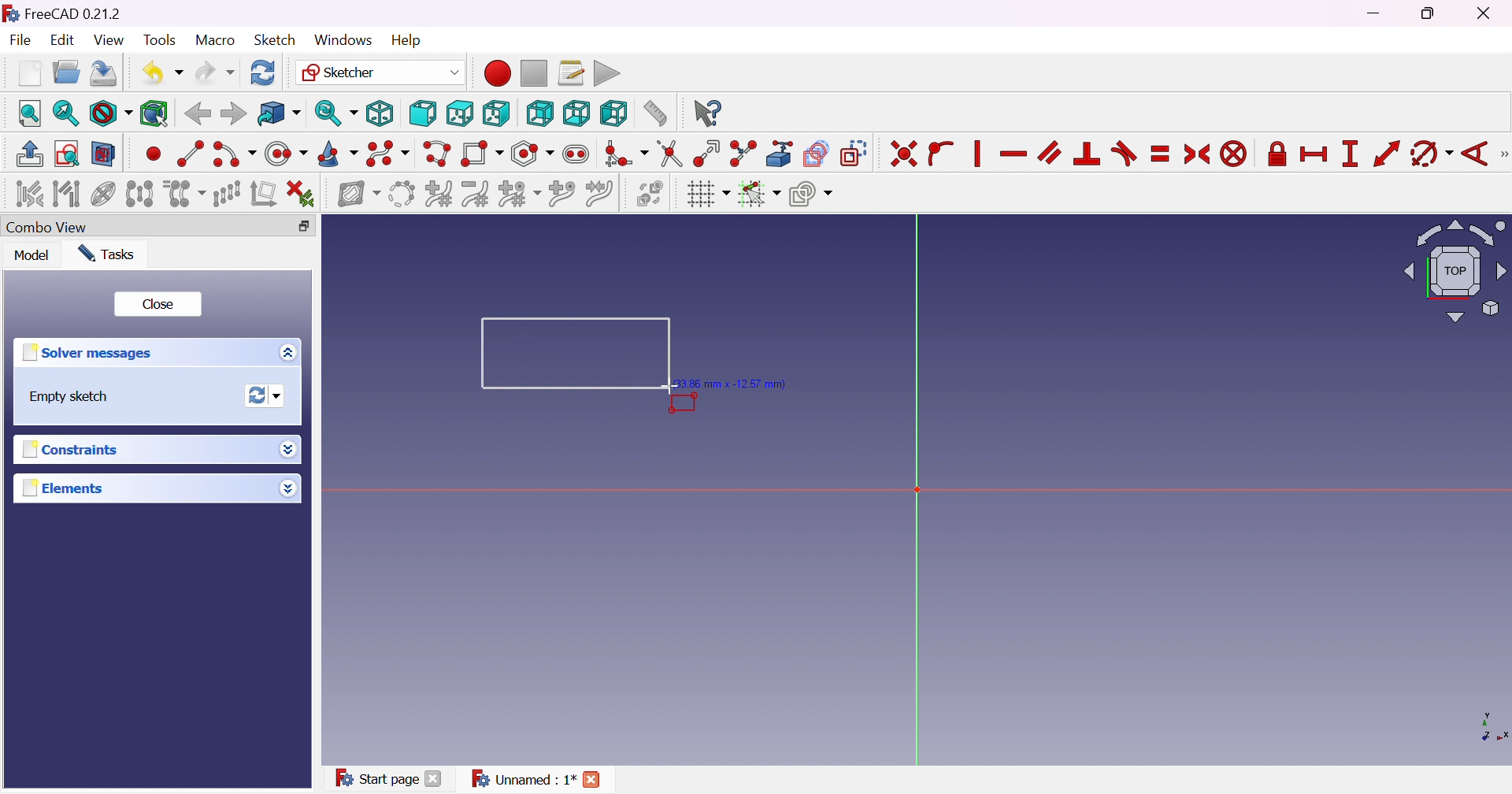 This screenshot has height=794, width=1512. I want to click on Constrain horizontal distance, so click(1313, 156).